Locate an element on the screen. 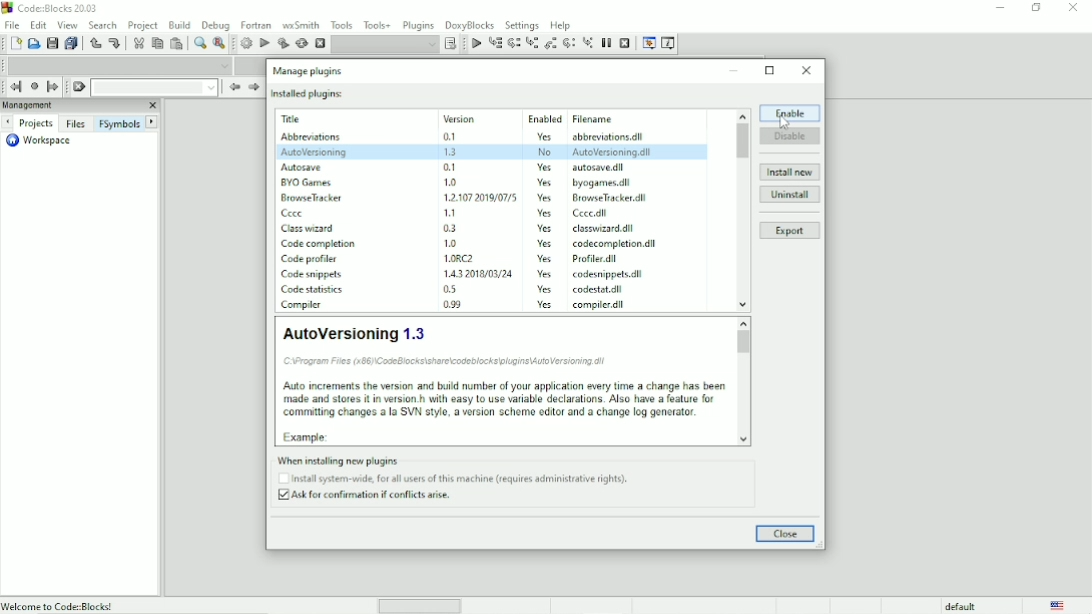  plugin is located at coordinates (321, 244).